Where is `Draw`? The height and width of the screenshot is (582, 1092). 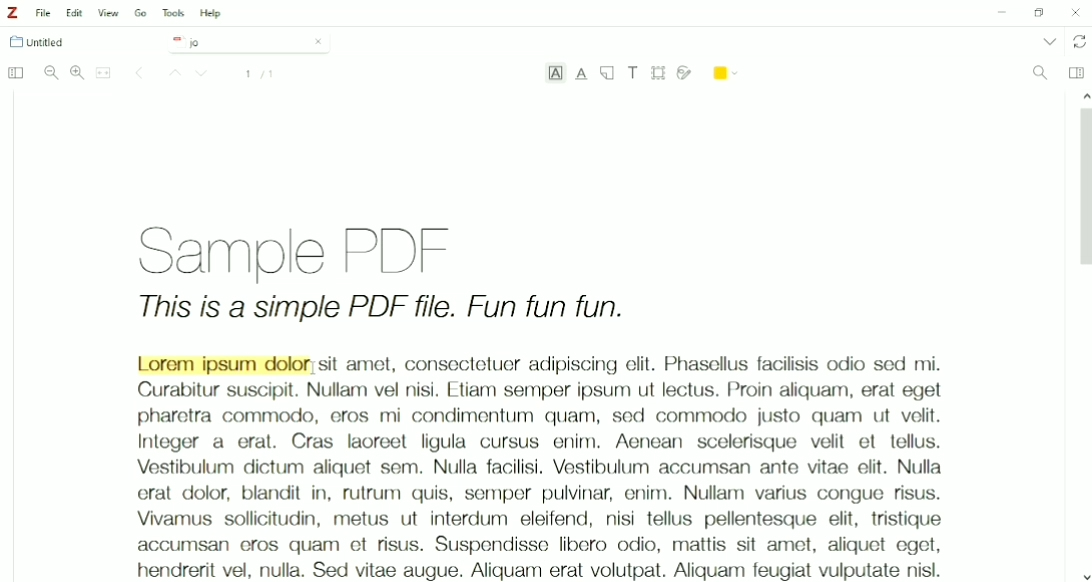 Draw is located at coordinates (685, 71).